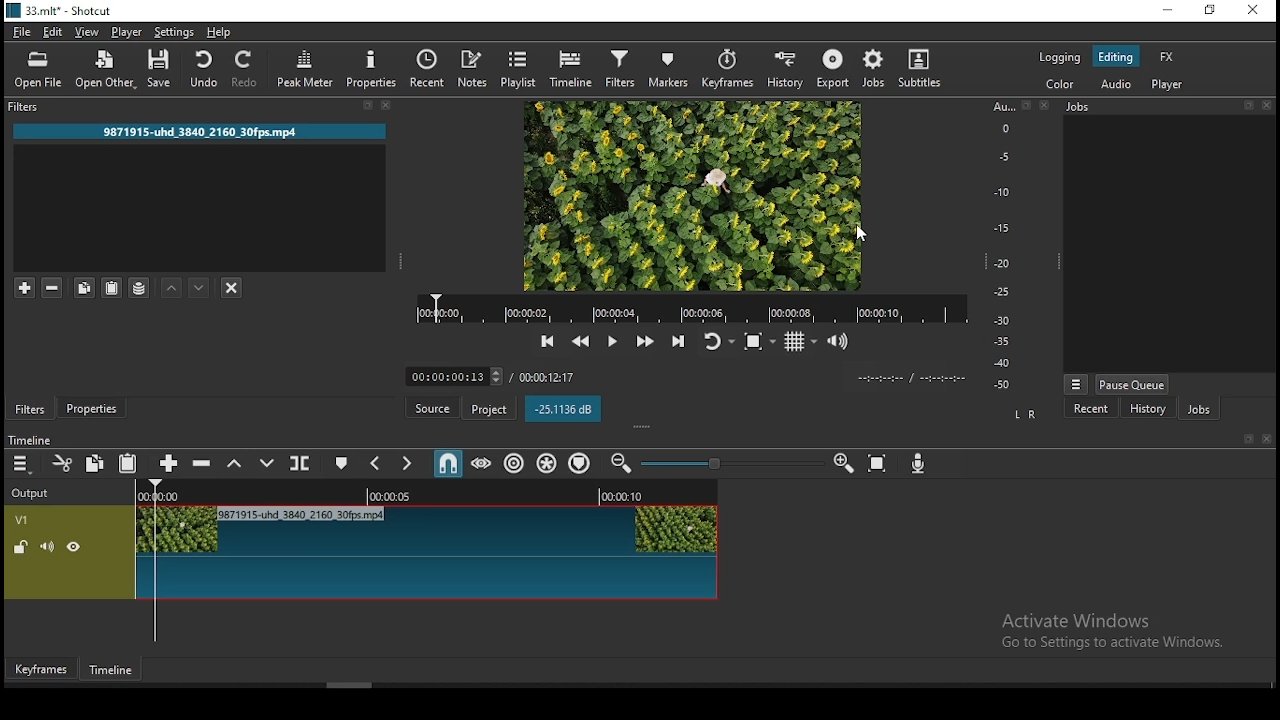 The height and width of the screenshot is (720, 1280). Describe the element at coordinates (267, 465) in the screenshot. I see `overwrite` at that location.